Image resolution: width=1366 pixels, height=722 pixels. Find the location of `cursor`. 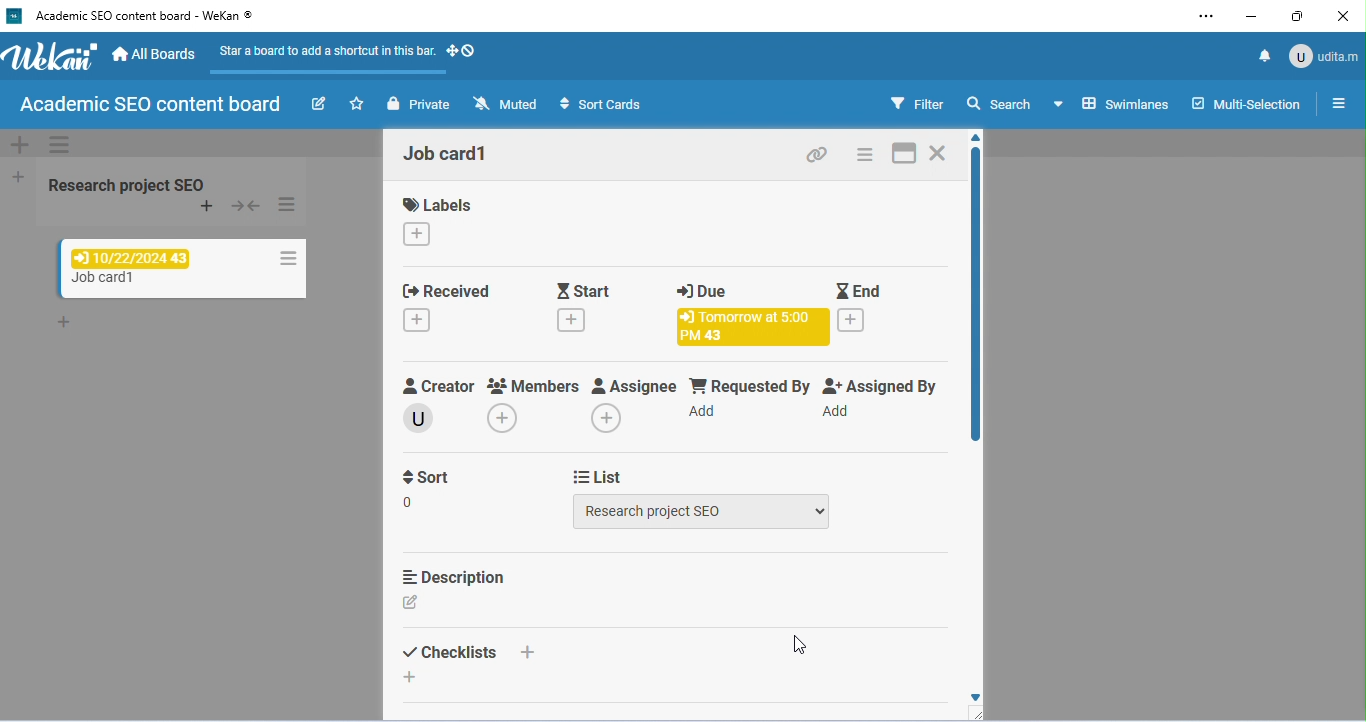

cursor is located at coordinates (803, 648).